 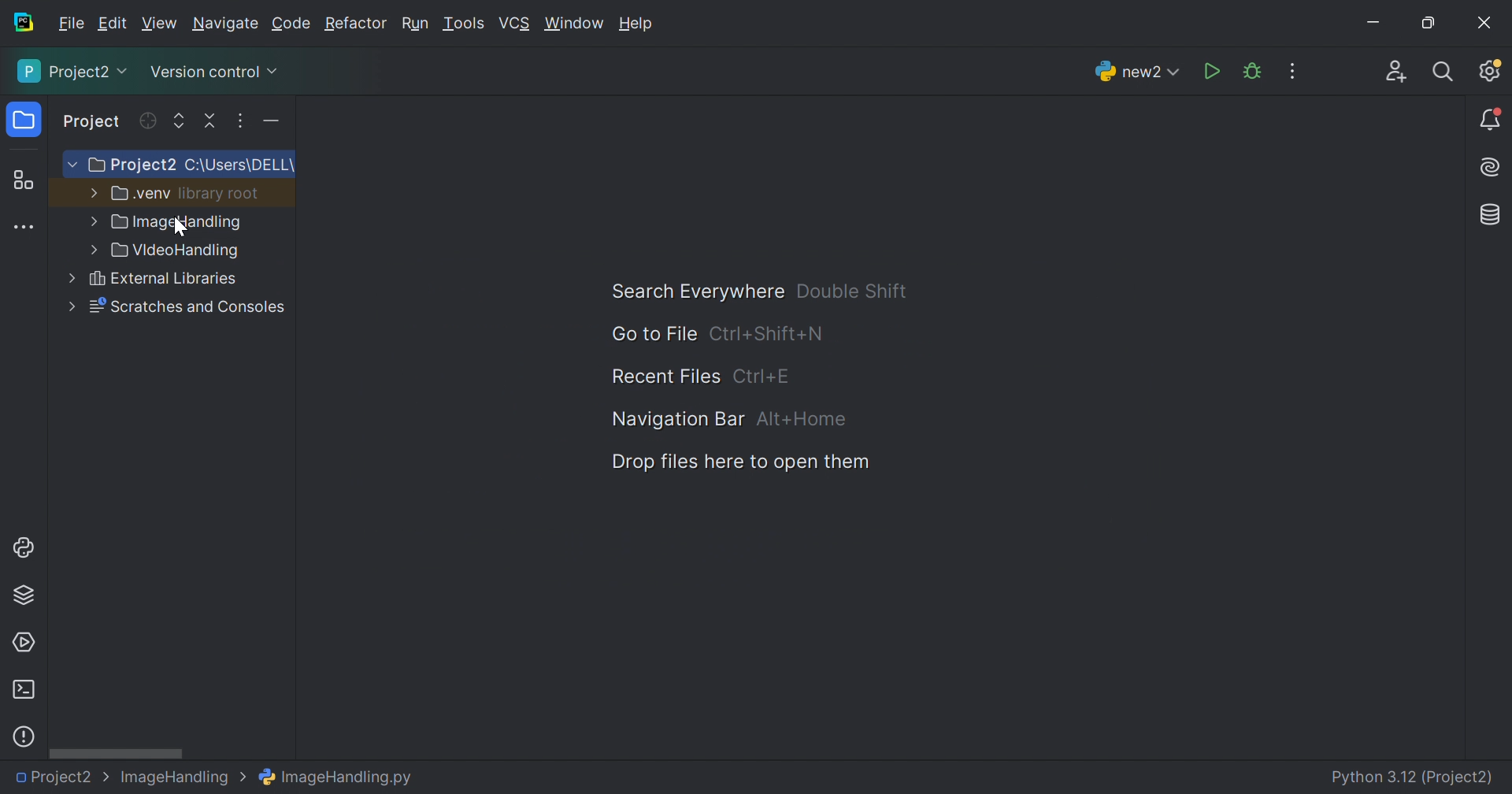 I want to click on Dop files here to open them, so click(x=735, y=462).